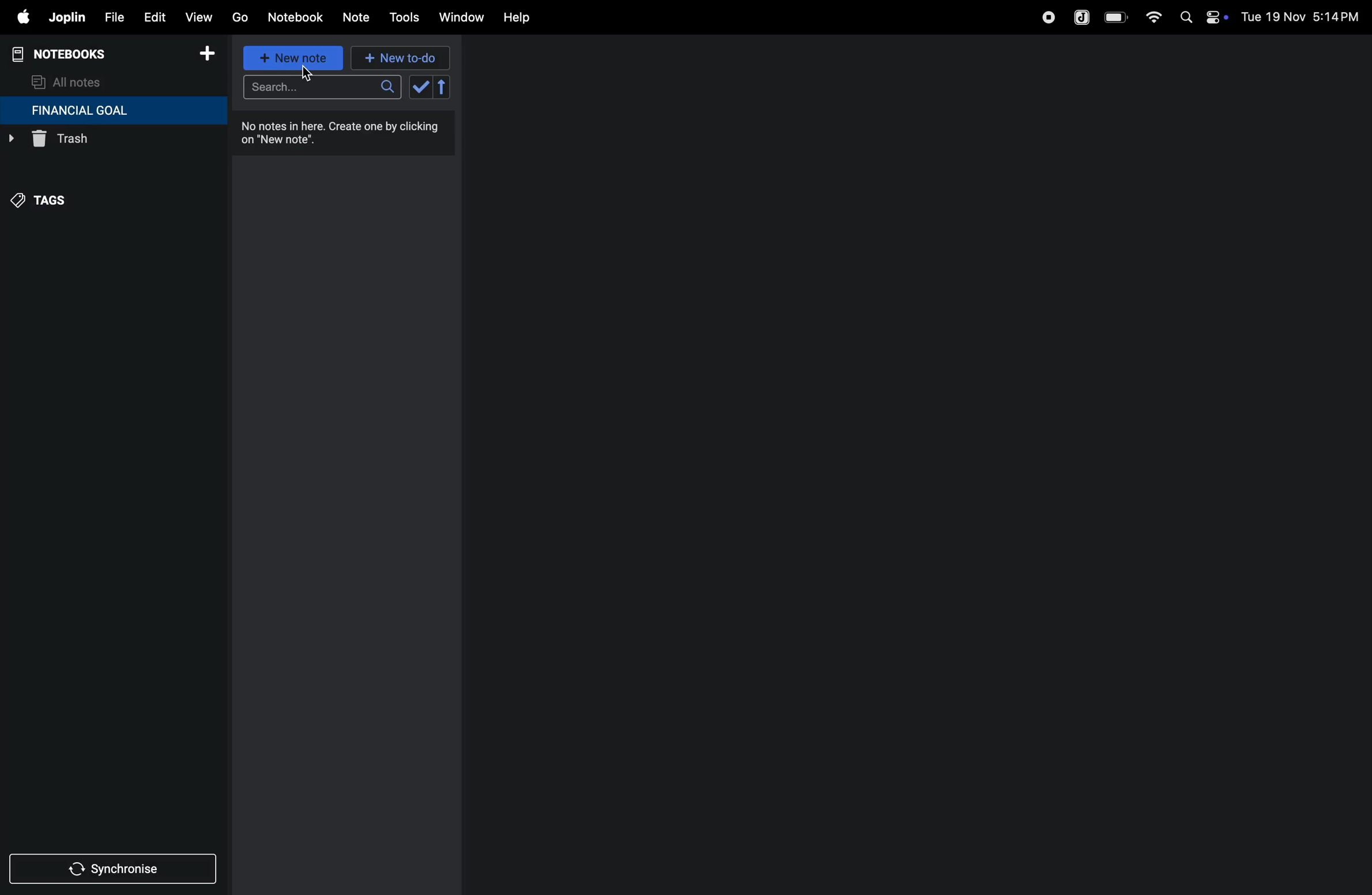 Image resolution: width=1372 pixels, height=895 pixels. I want to click on tools, so click(402, 17).